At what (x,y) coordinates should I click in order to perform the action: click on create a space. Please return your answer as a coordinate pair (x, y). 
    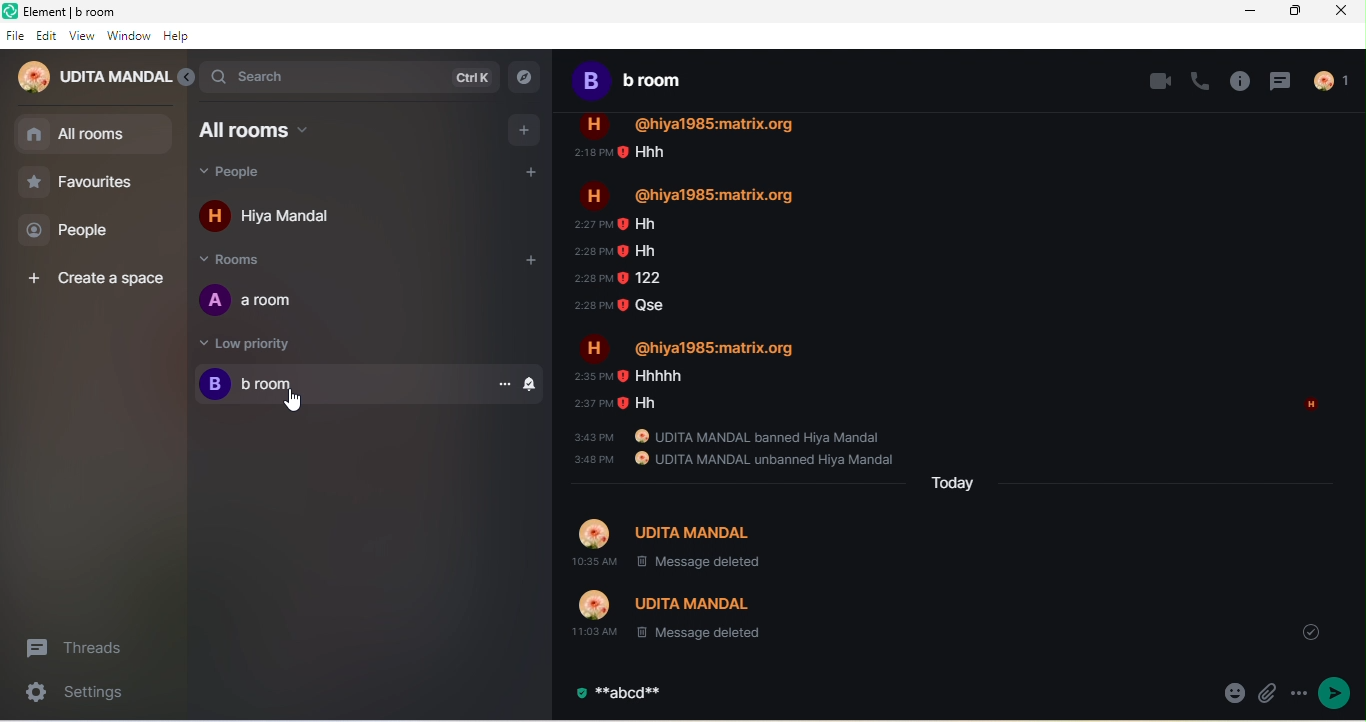
    Looking at the image, I should click on (93, 275).